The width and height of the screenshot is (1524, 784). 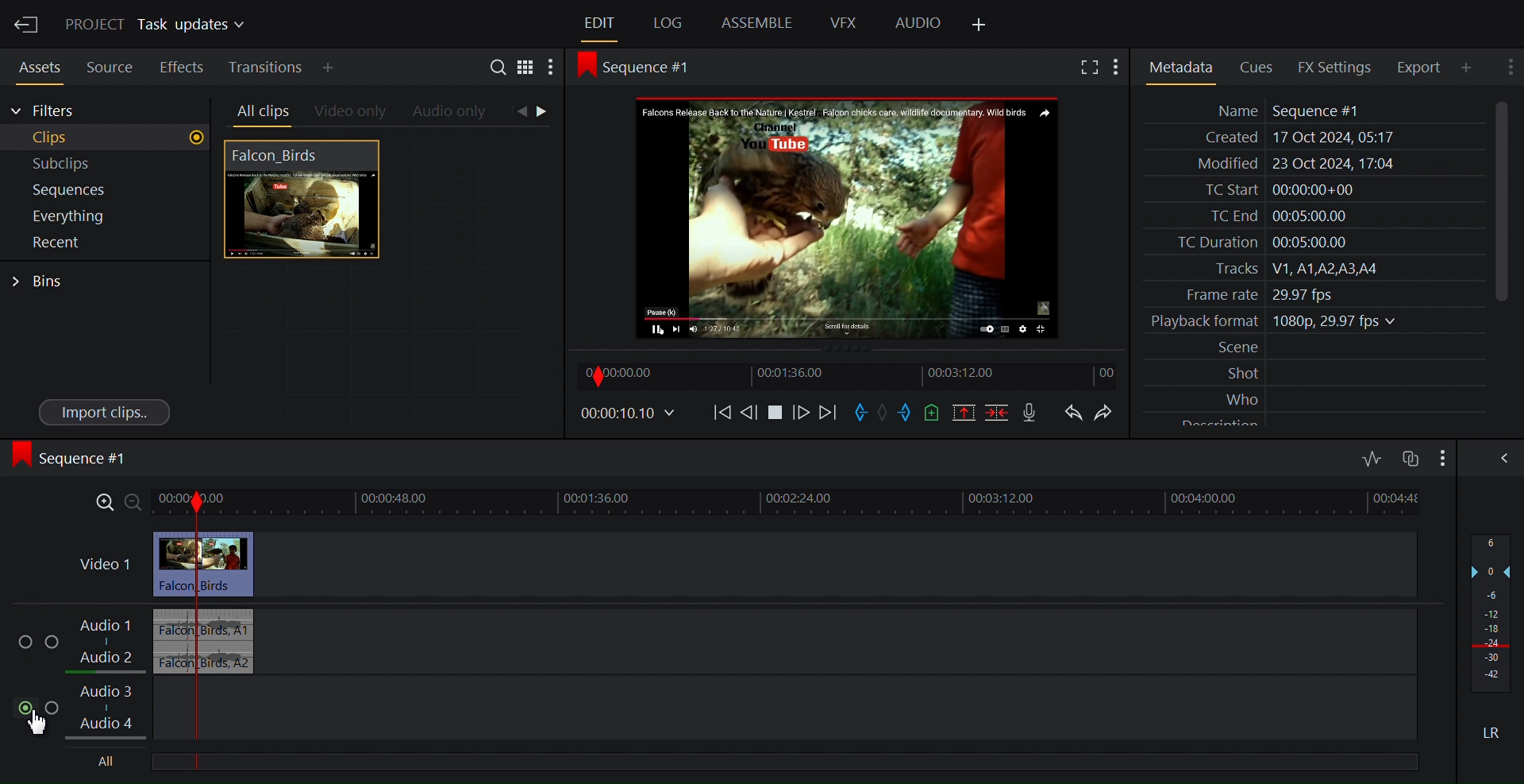 What do you see at coordinates (849, 217) in the screenshot?
I see `Media viewer` at bounding box center [849, 217].